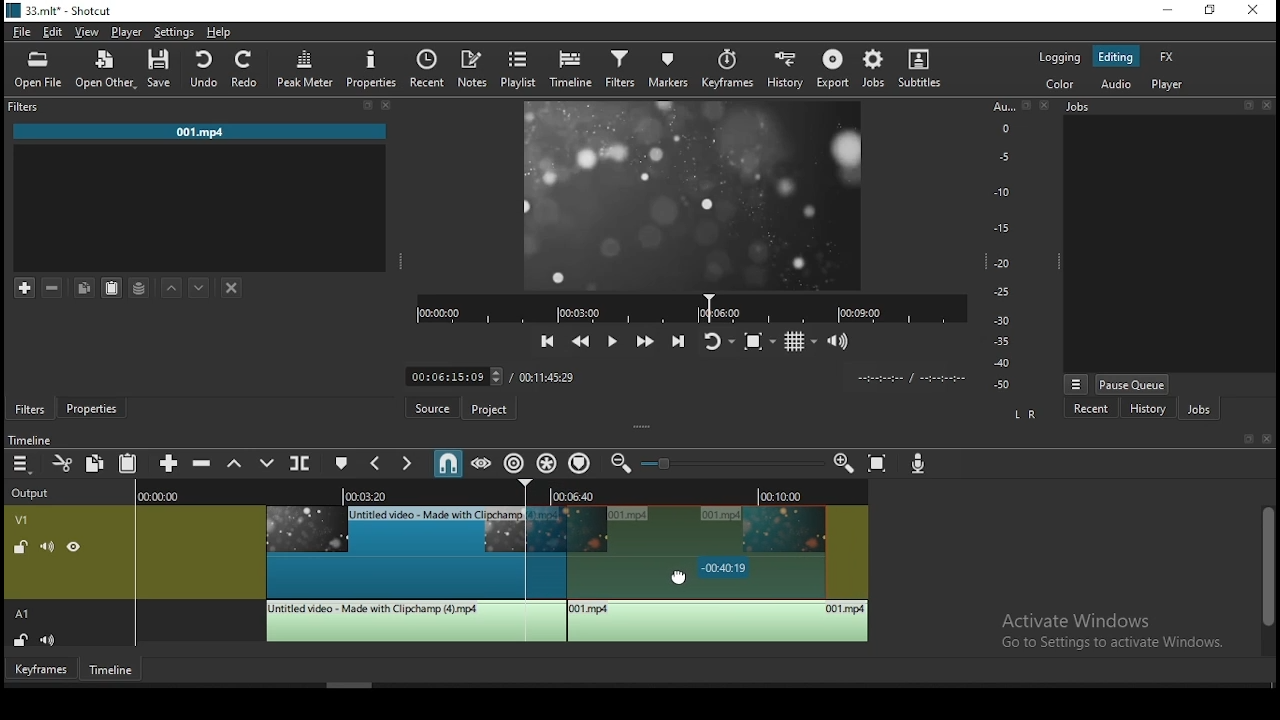 The height and width of the screenshot is (720, 1280). Describe the element at coordinates (203, 108) in the screenshot. I see `filters` at that location.